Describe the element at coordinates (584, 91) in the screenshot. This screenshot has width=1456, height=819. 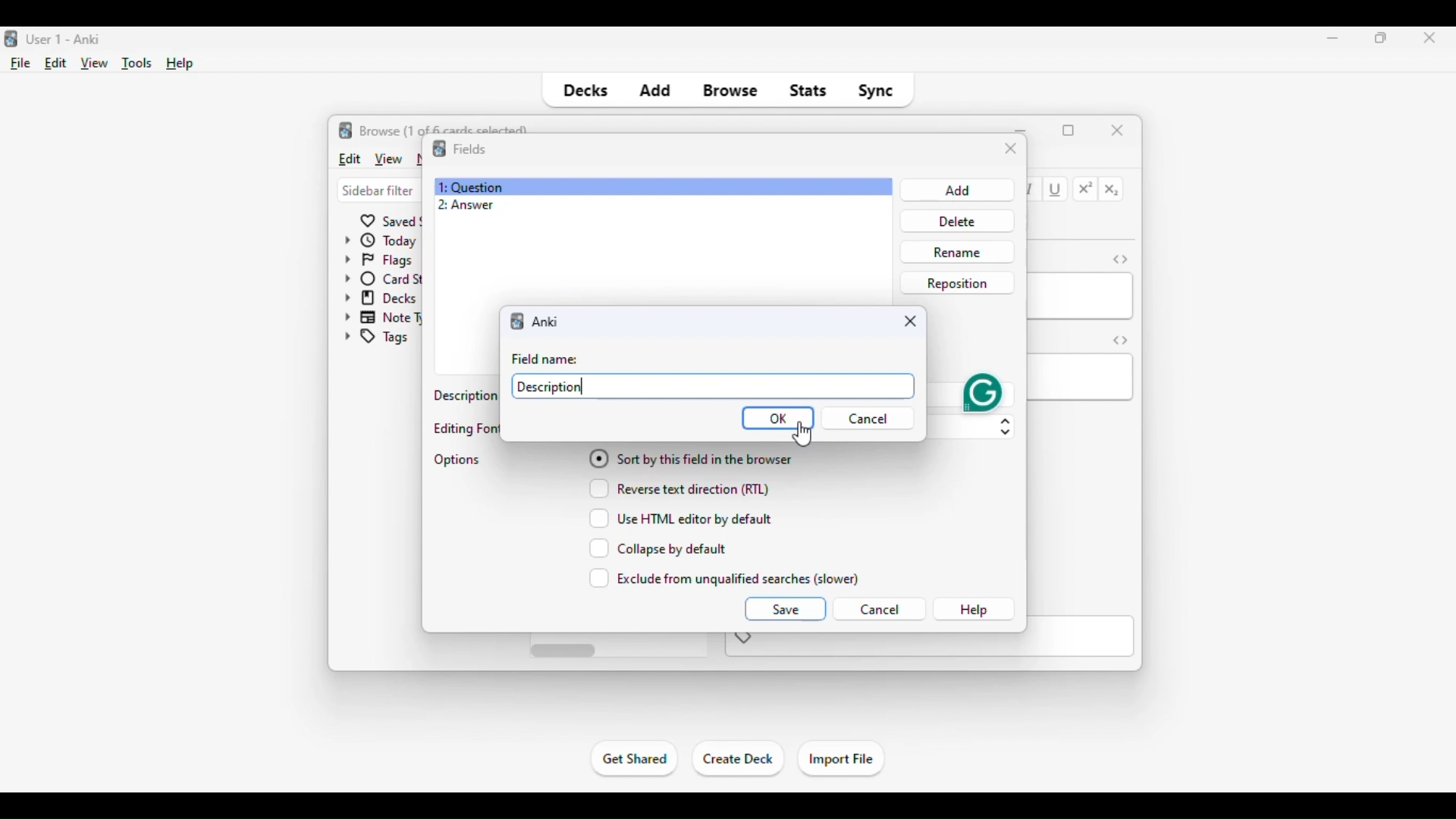
I see `decks` at that location.